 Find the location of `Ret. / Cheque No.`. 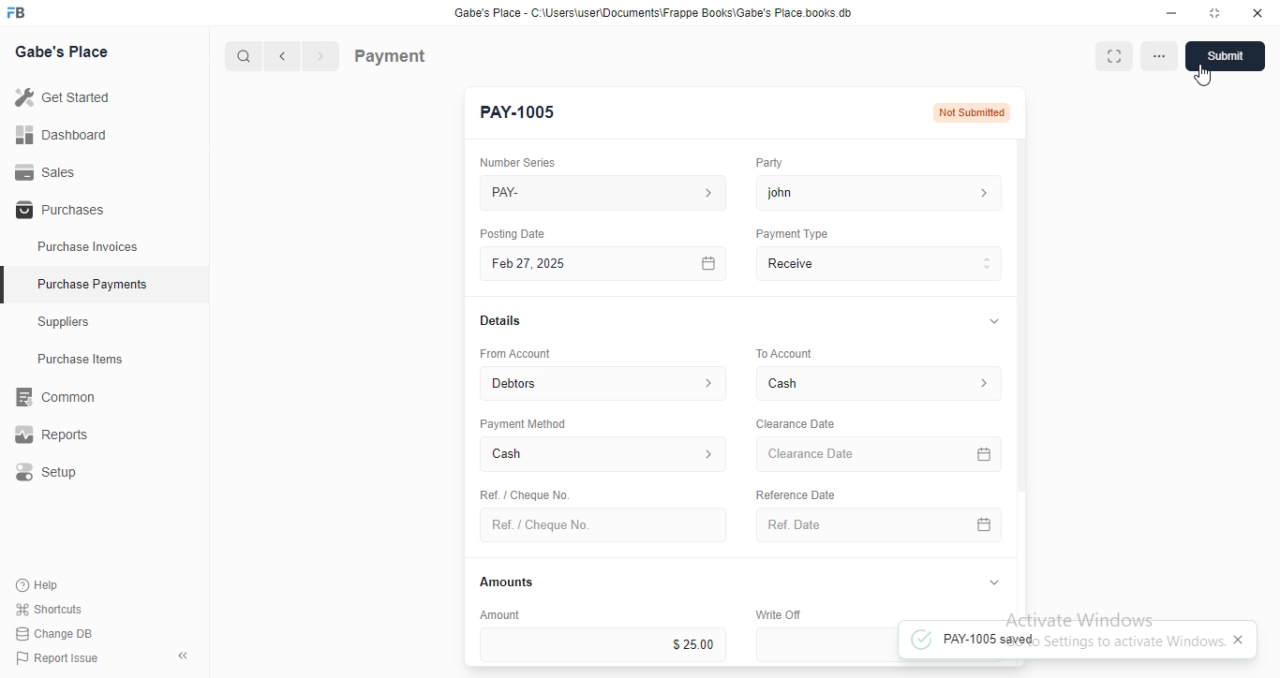

Ret. / Cheque No. is located at coordinates (522, 493).